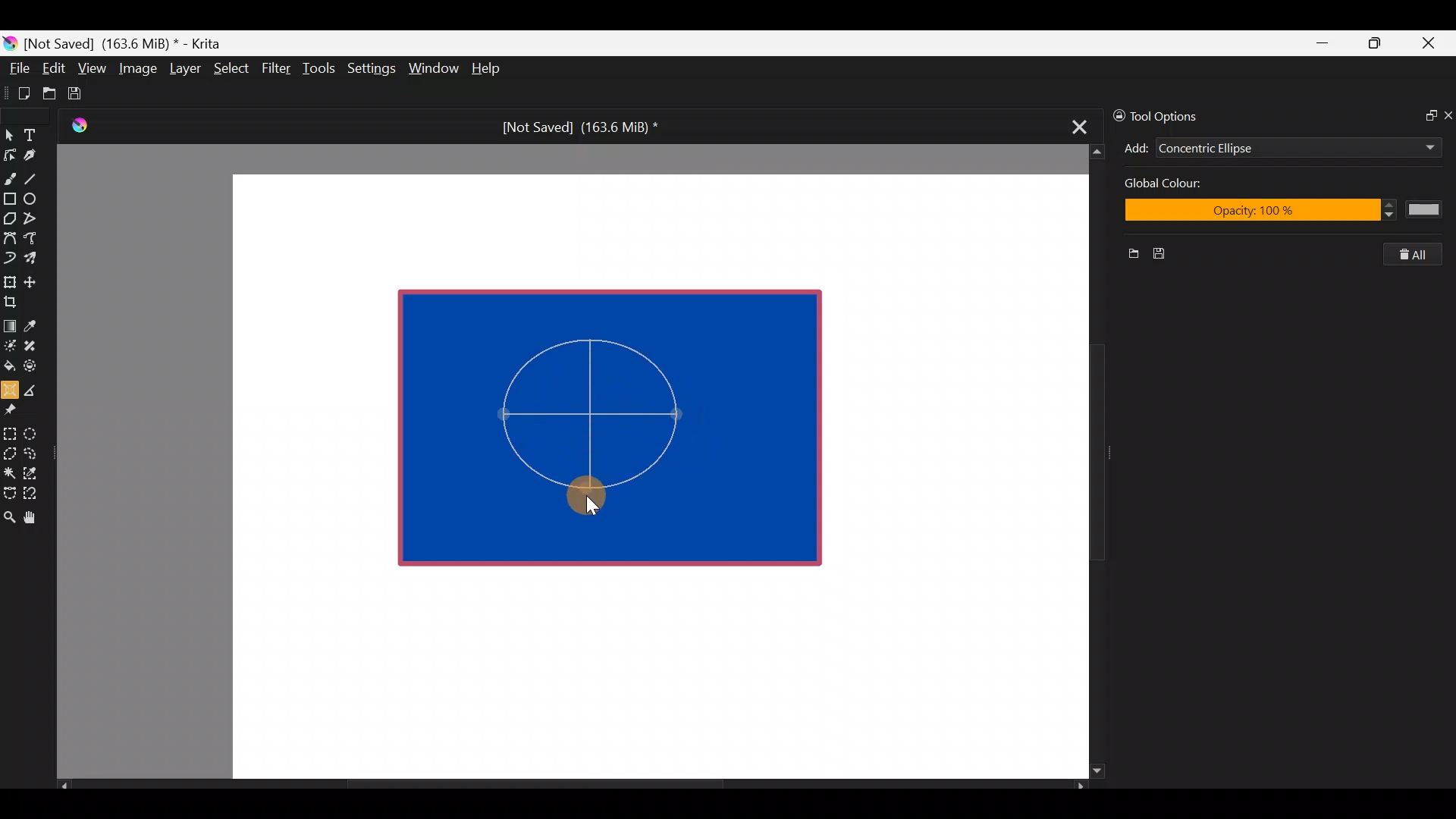 The height and width of the screenshot is (819, 1456). Describe the element at coordinates (35, 494) in the screenshot. I see `Magnetic curve selection tool` at that location.